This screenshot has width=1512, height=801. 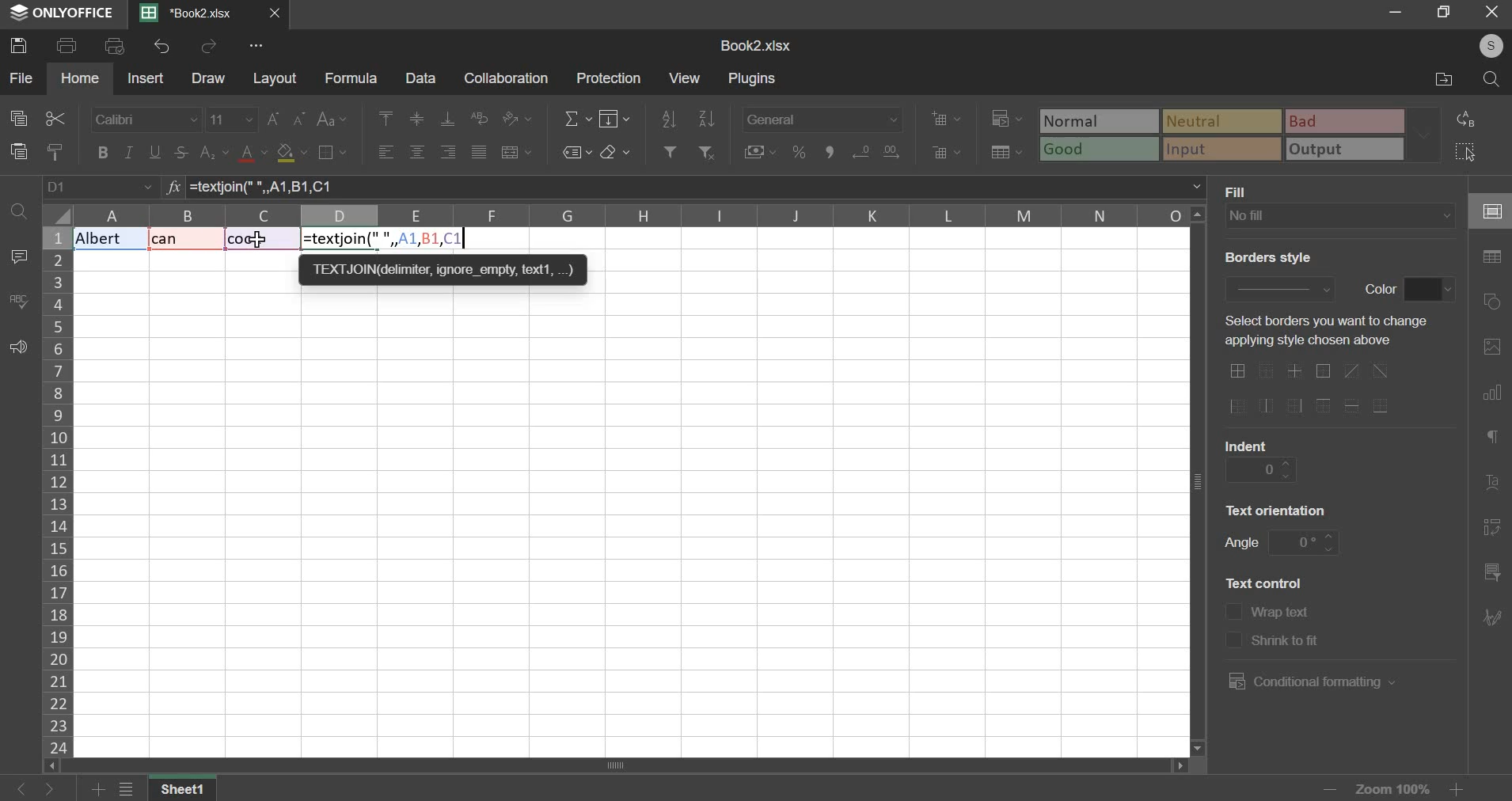 What do you see at coordinates (517, 152) in the screenshot?
I see `merge & center` at bounding box center [517, 152].